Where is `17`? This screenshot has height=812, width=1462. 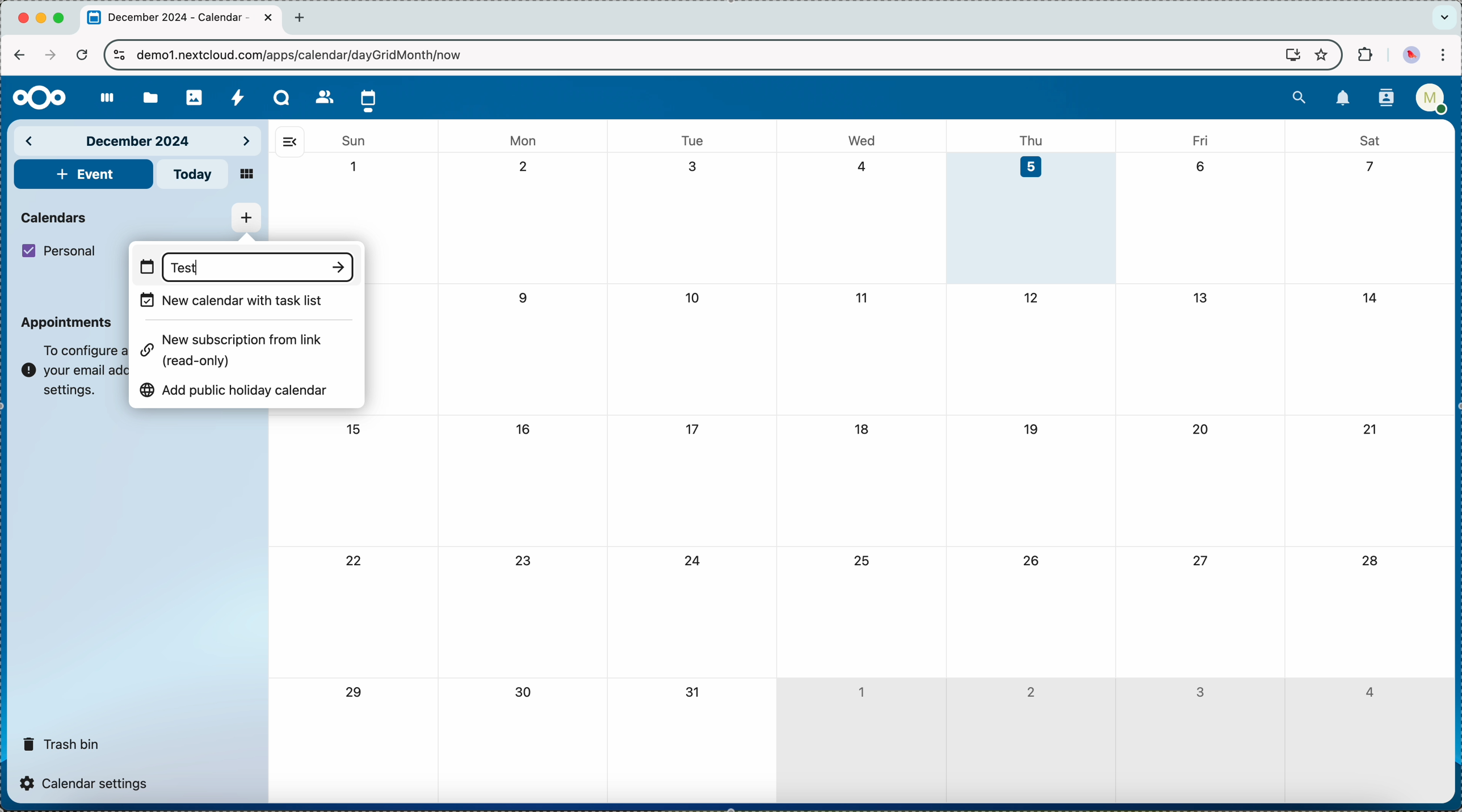 17 is located at coordinates (694, 430).